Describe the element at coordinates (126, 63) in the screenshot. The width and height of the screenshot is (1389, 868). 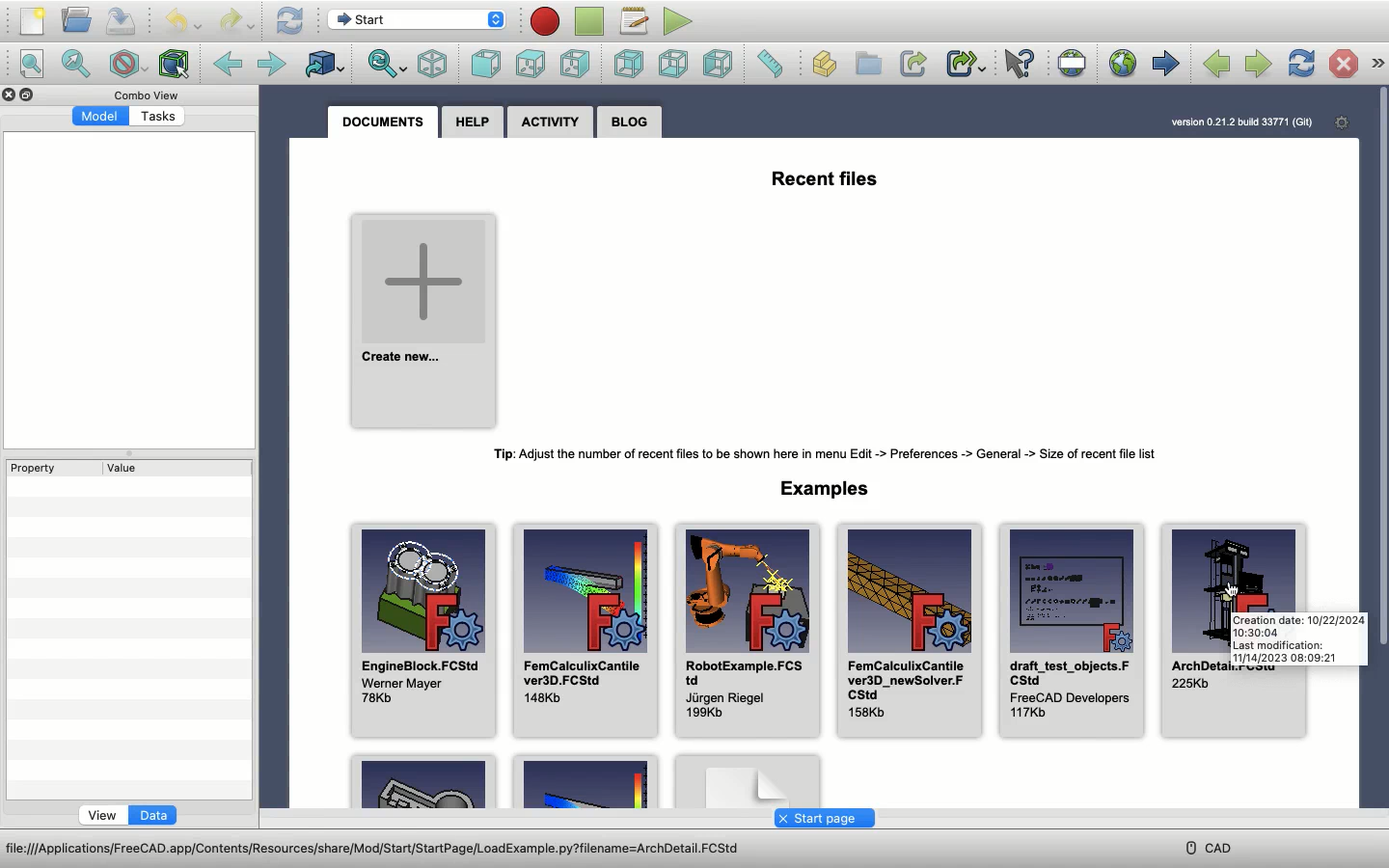
I see `Draw style` at that location.